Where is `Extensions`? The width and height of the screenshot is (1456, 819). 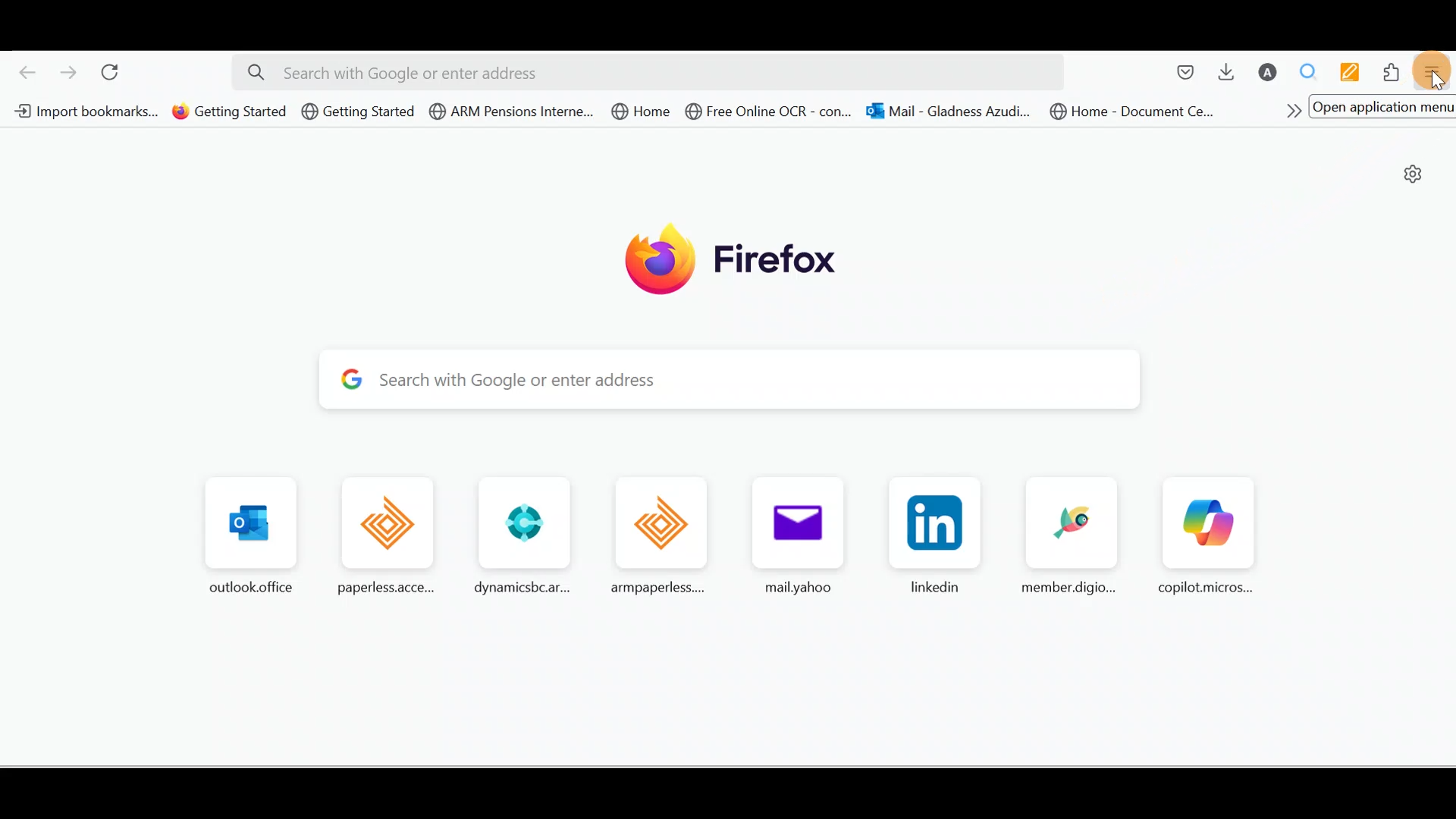
Extensions is located at coordinates (1394, 71).